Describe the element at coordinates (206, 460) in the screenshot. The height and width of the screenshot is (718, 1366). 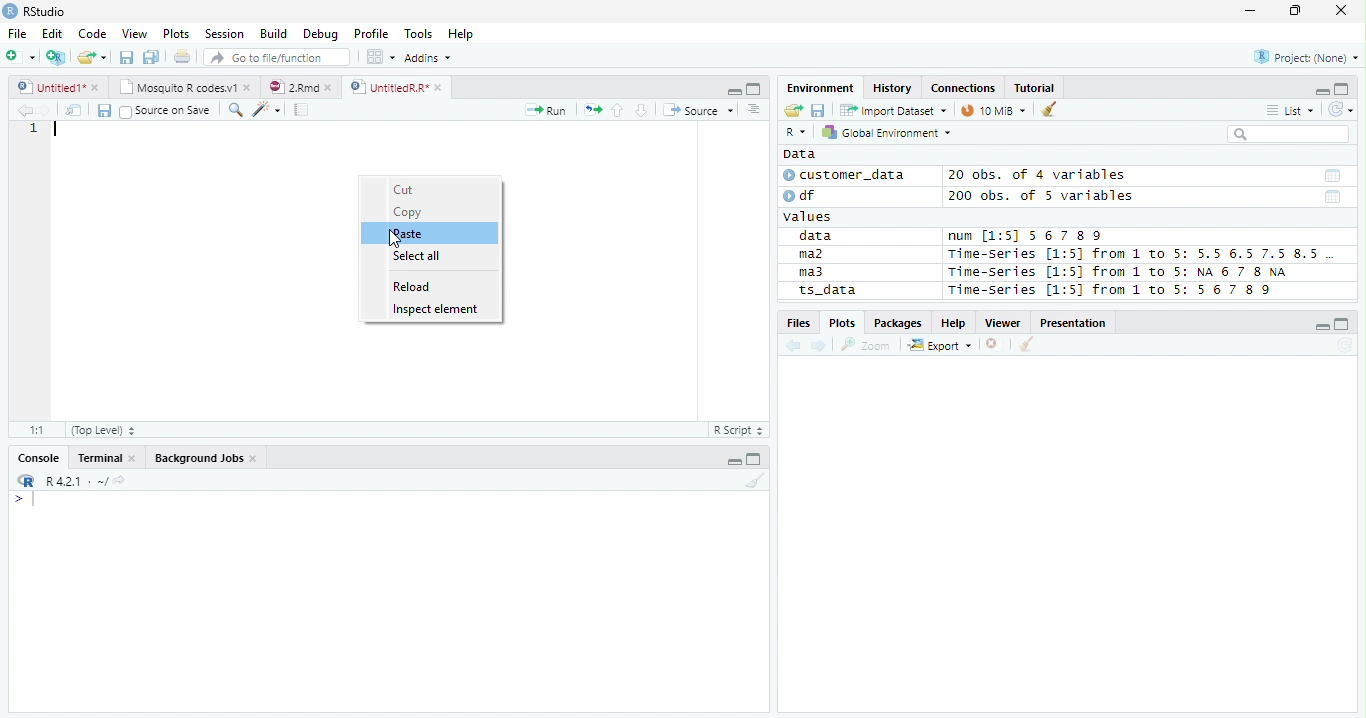
I see `Background jobs` at that location.